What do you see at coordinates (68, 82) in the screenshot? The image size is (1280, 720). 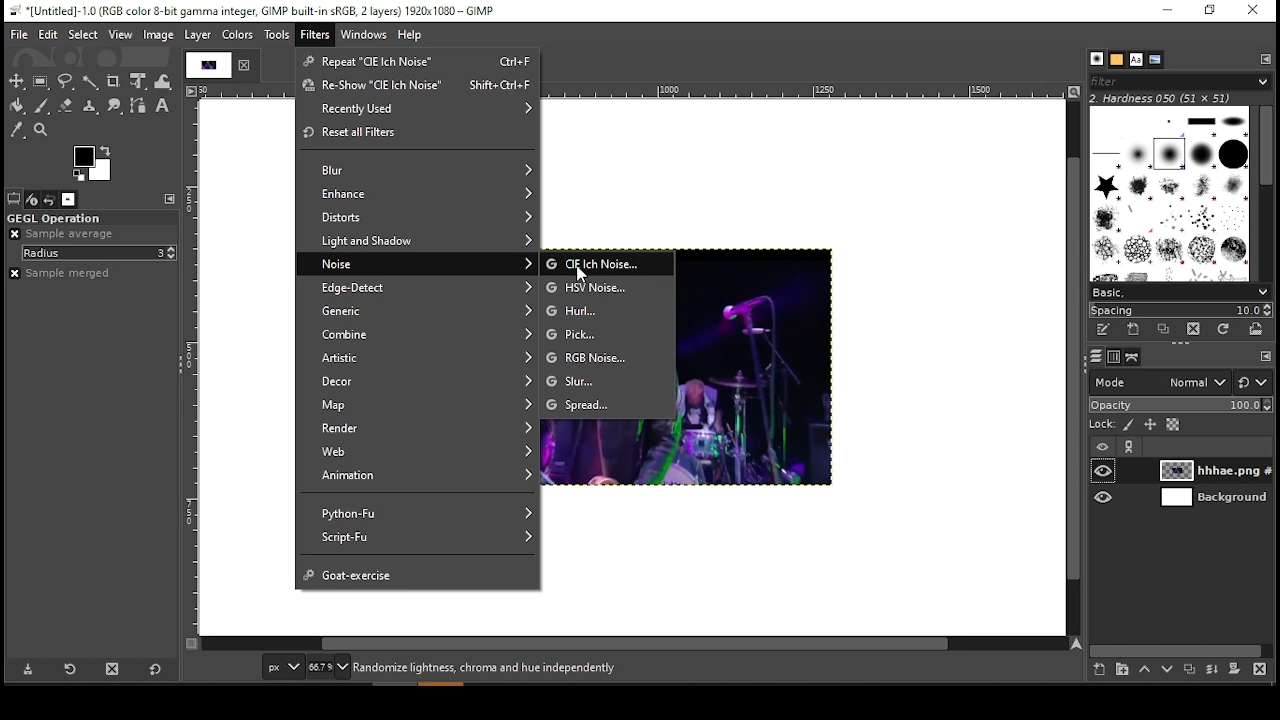 I see `free selection tool` at bounding box center [68, 82].